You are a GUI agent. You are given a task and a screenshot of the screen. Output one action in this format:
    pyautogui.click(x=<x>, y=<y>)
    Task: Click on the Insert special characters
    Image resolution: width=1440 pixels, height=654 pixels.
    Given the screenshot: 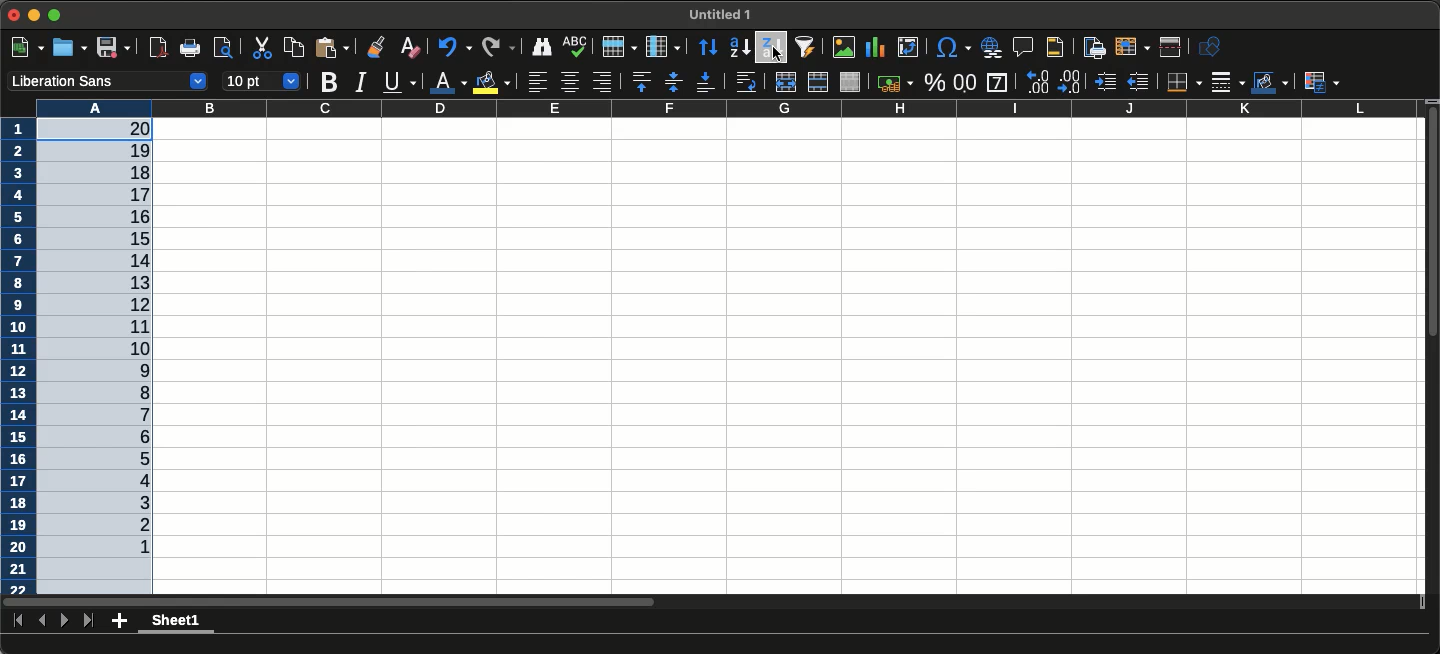 What is the action you would take?
    pyautogui.click(x=952, y=47)
    